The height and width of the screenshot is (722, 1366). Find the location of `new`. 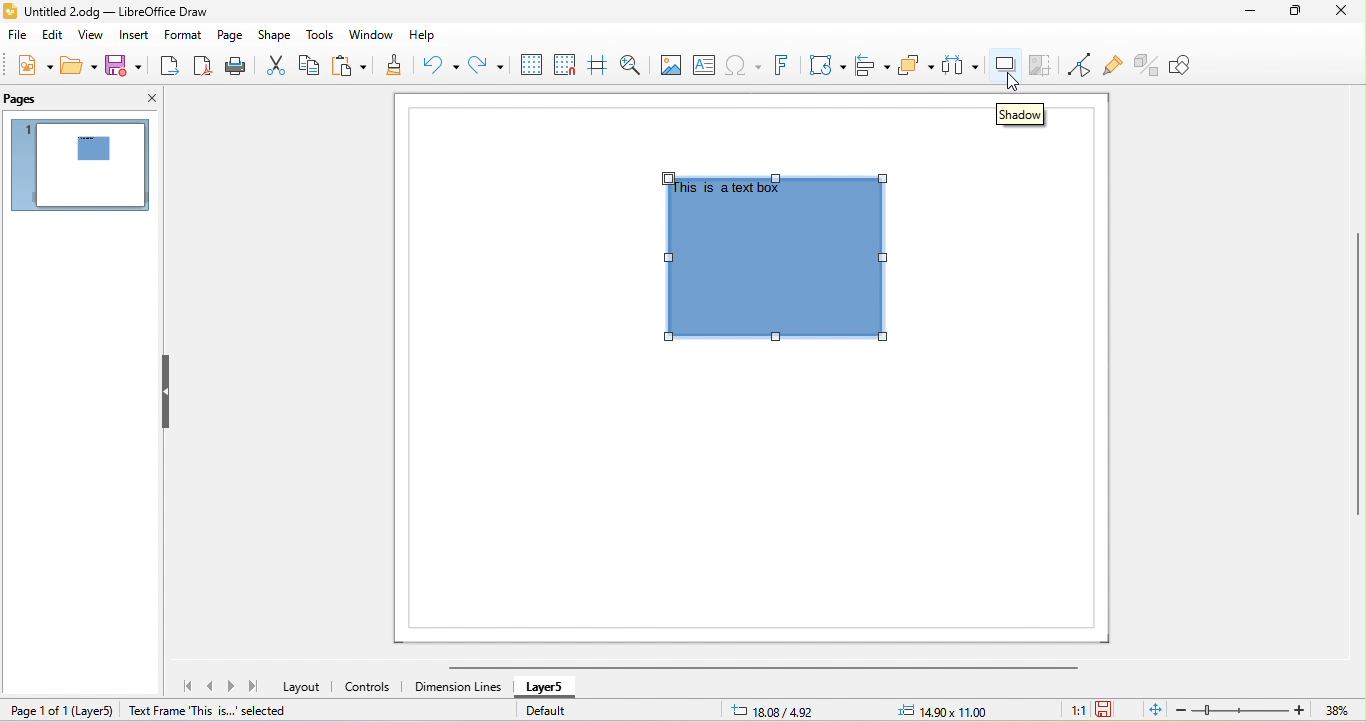

new is located at coordinates (30, 64).